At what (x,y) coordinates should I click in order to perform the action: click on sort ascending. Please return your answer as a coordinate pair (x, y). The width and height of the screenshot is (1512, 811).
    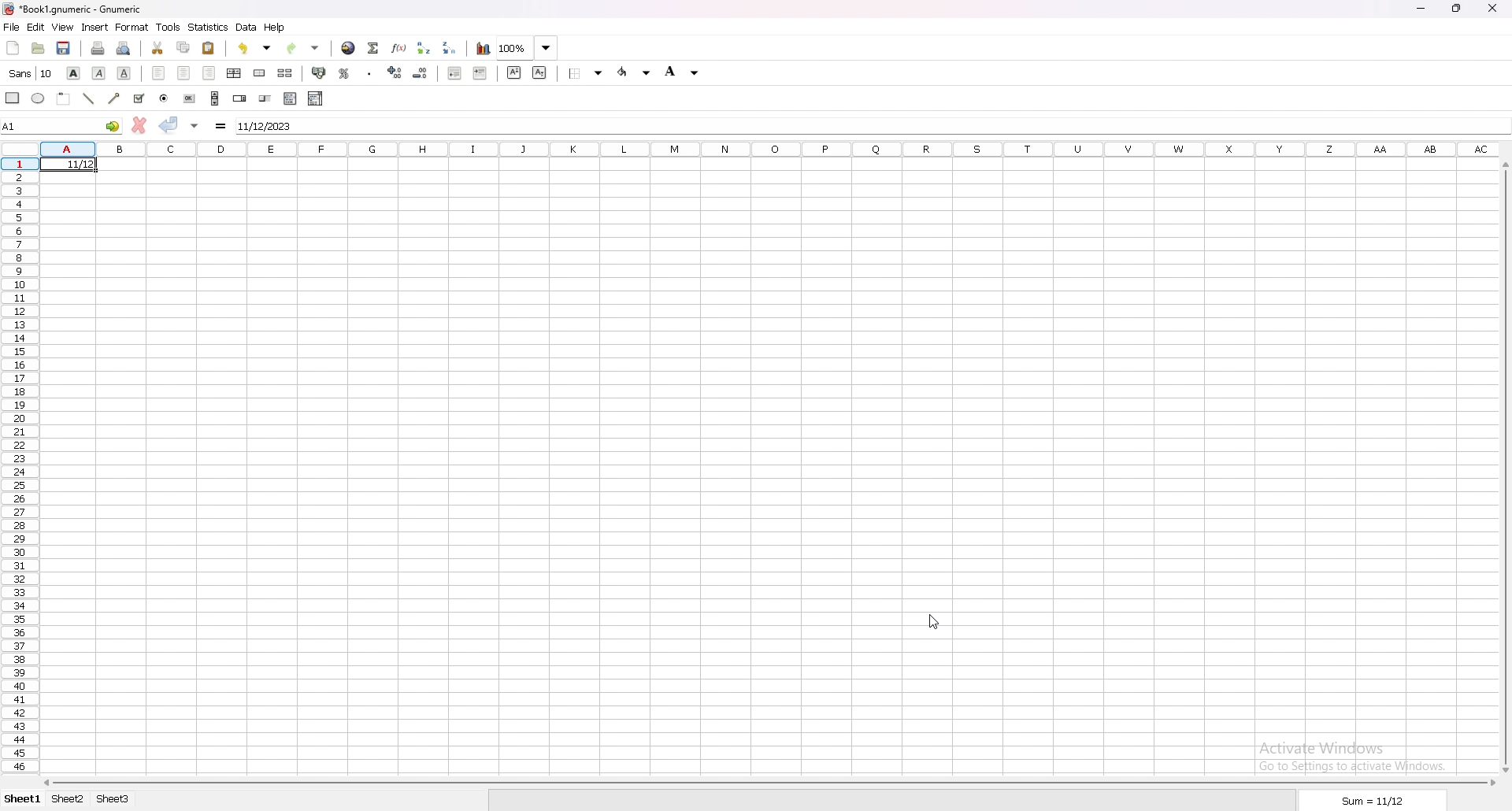
    Looking at the image, I should click on (424, 47).